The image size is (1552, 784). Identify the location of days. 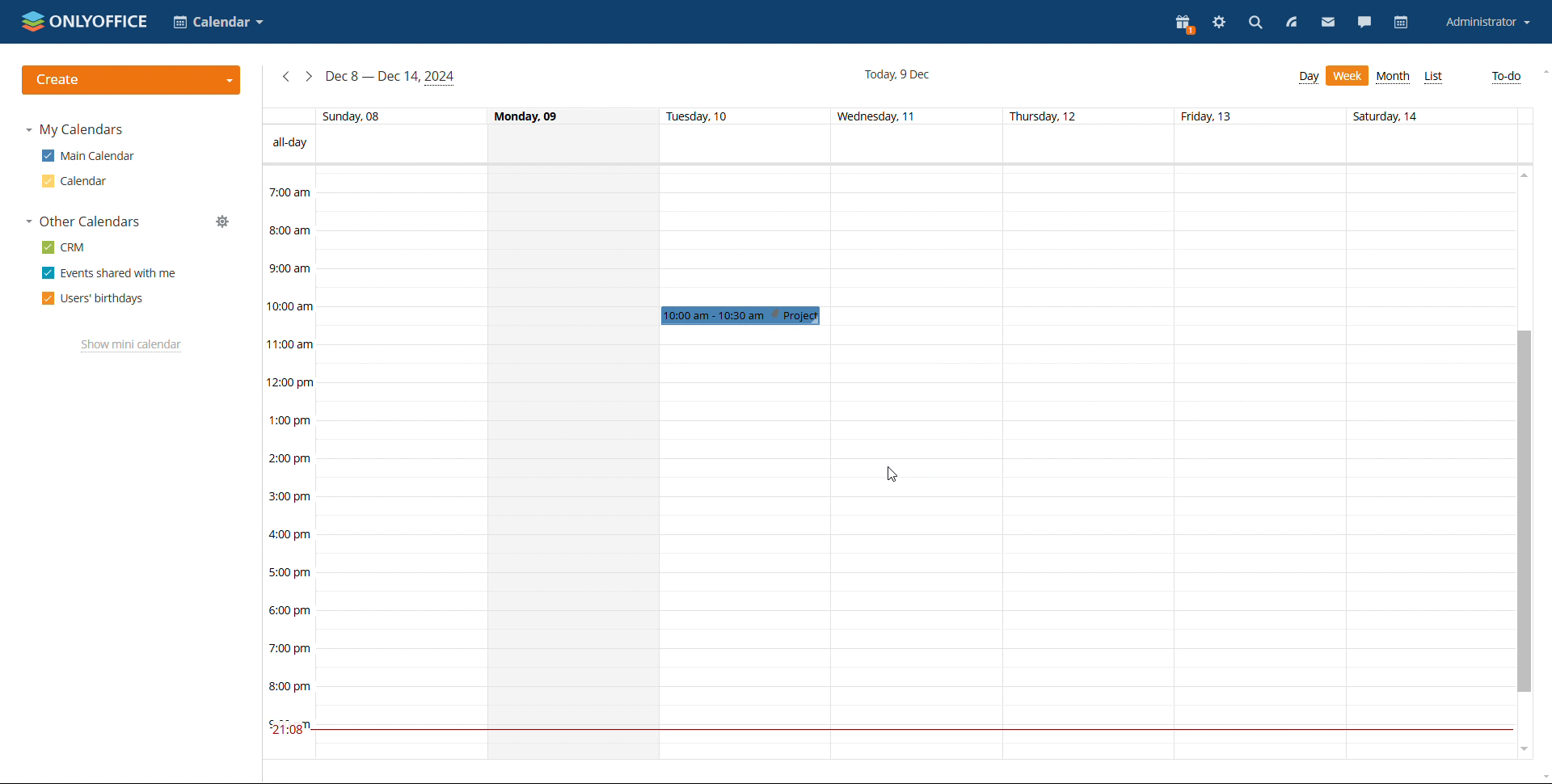
(888, 116).